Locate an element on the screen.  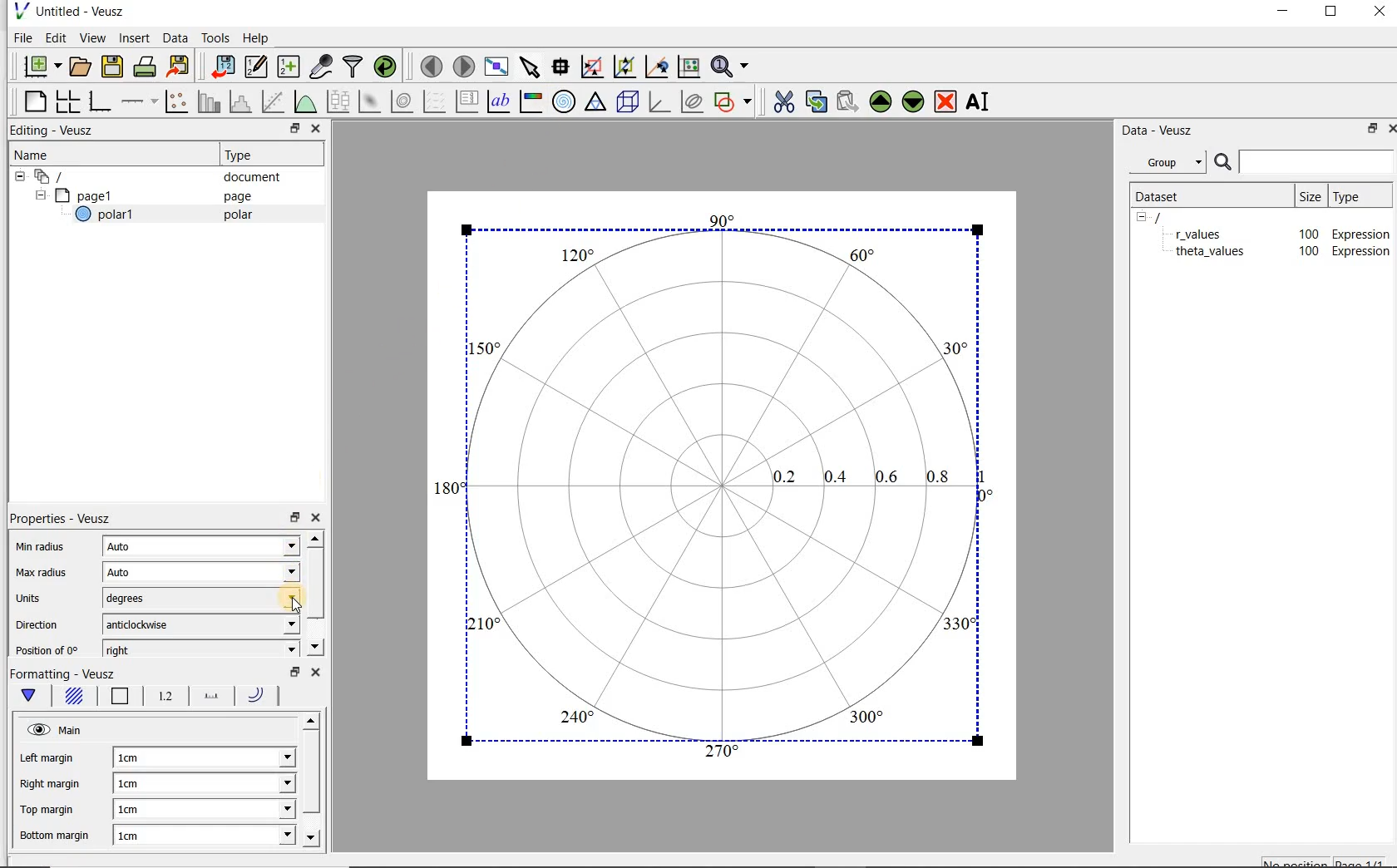
create new datasets using ranges, parametrically or as functions of existing datasets is located at coordinates (289, 67).